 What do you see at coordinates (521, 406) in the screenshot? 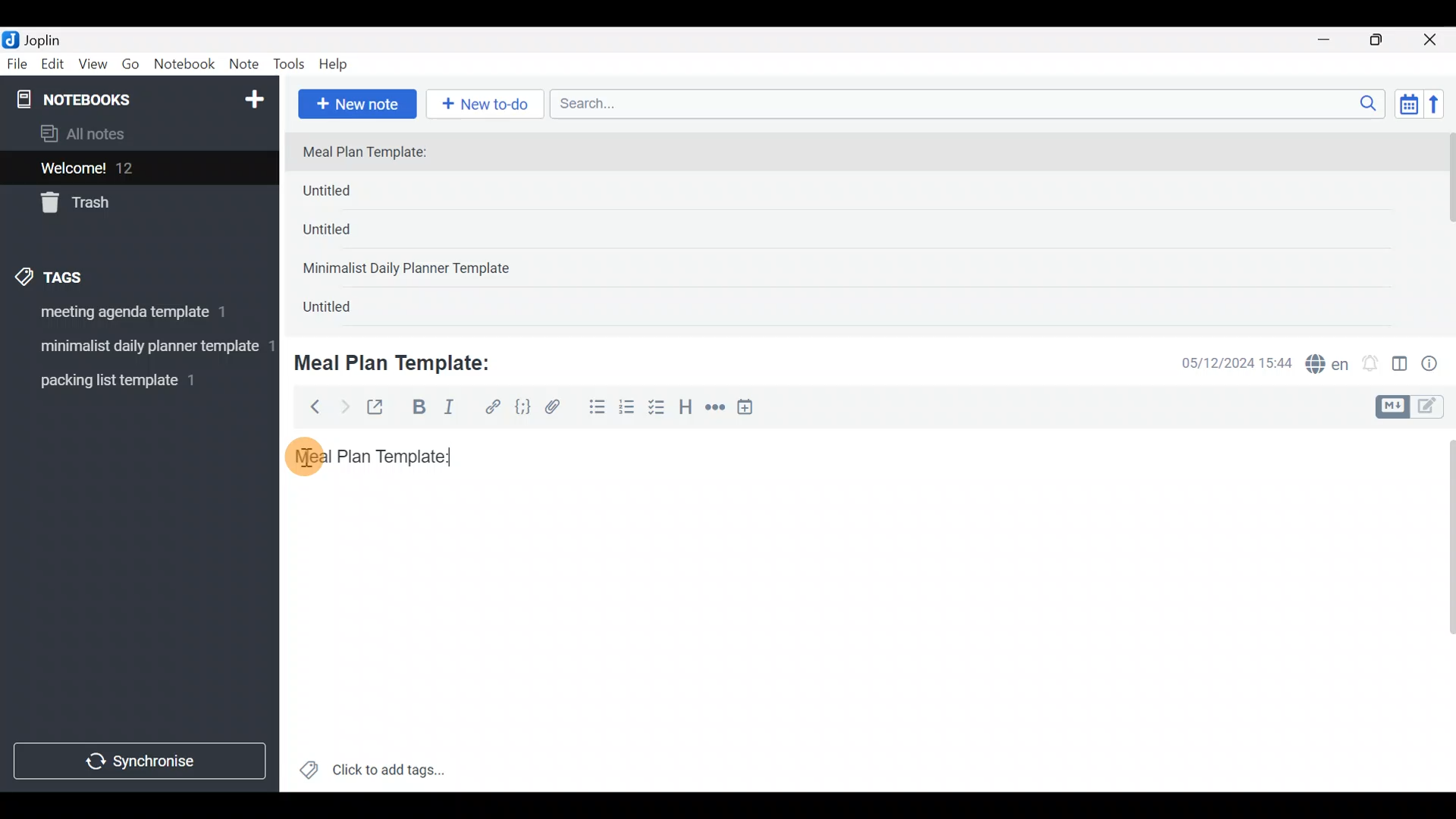
I see `Code` at bounding box center [521, 406].